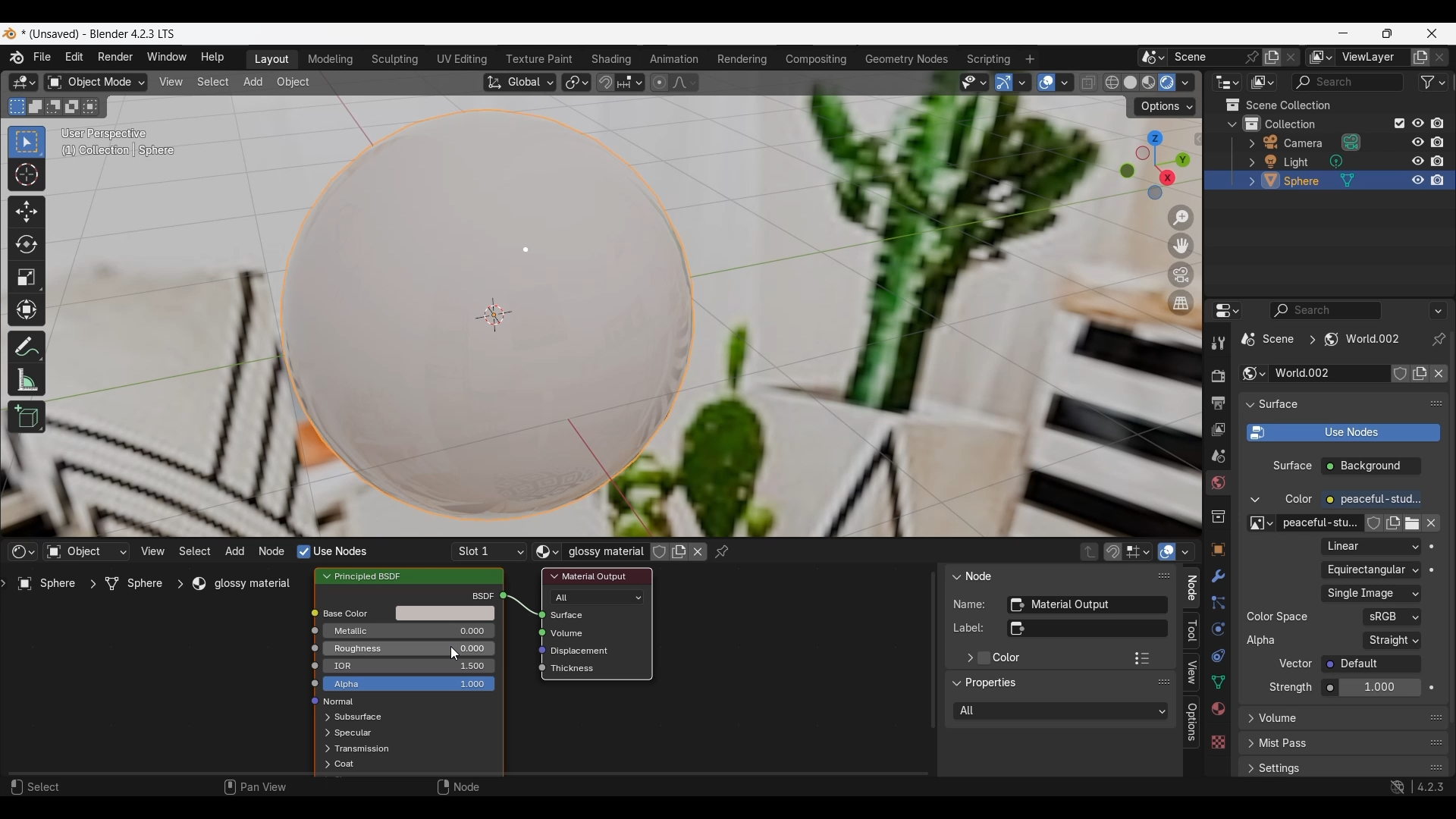  I want to click on Texture properties, so click(1217, 742).